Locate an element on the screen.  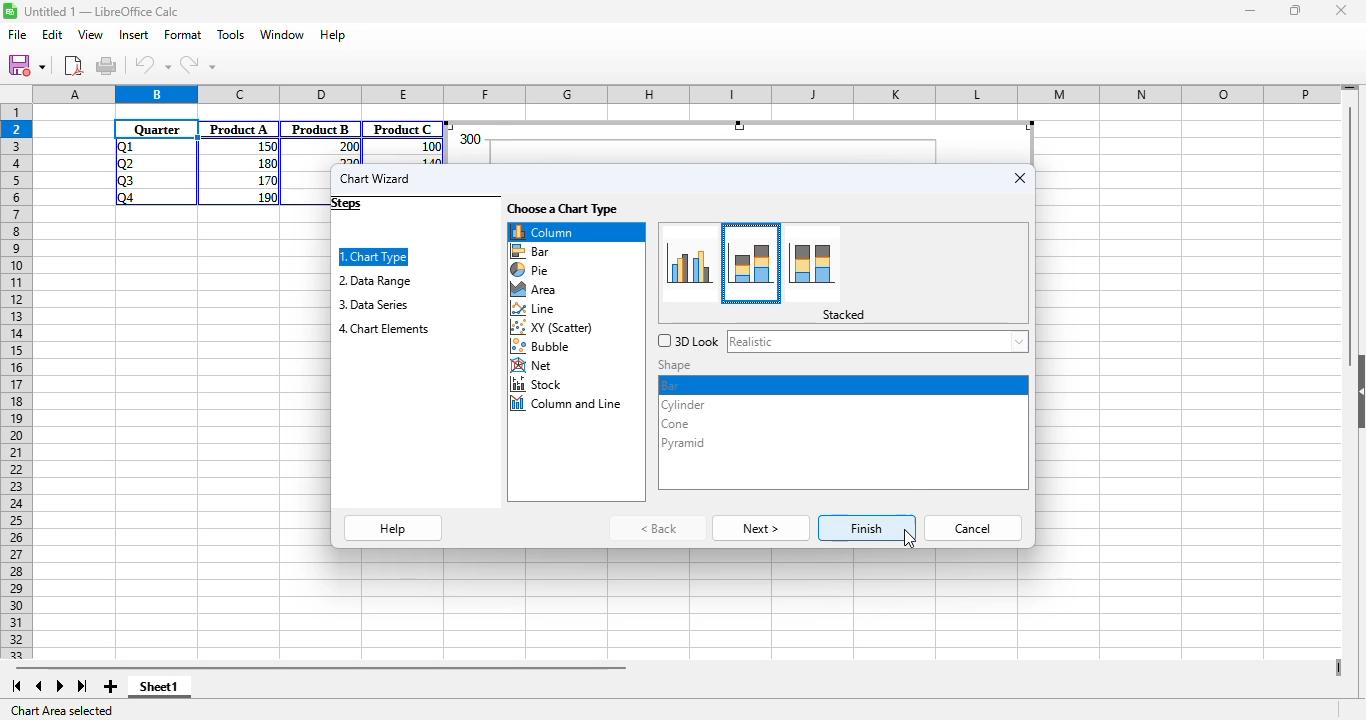
1. chart type is located at coordinates (375, 257).